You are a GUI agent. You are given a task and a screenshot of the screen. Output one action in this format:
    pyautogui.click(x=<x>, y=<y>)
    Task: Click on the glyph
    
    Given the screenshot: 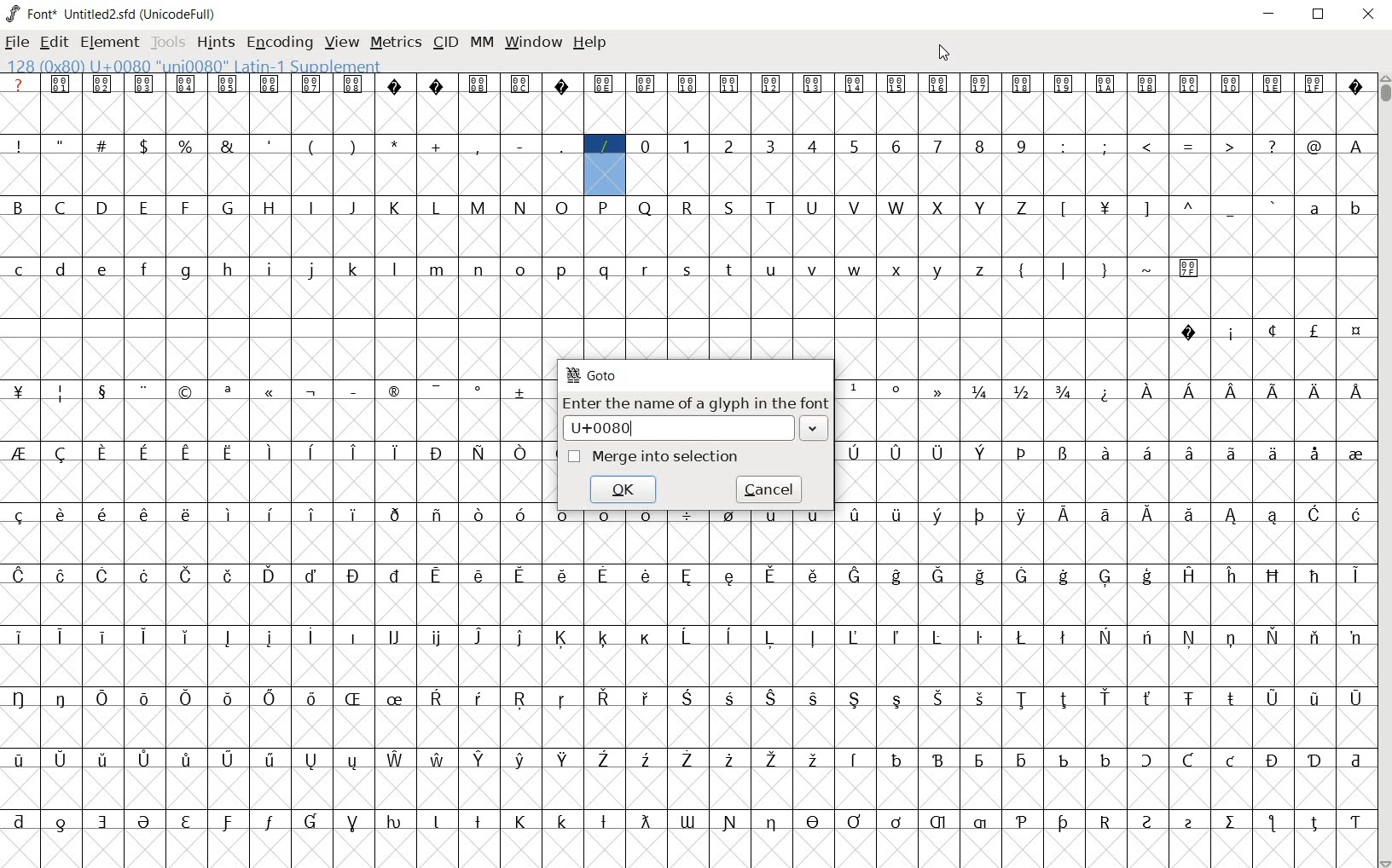 What is the action you would take?
    pyautogui.click(x=1106, y=394)
    